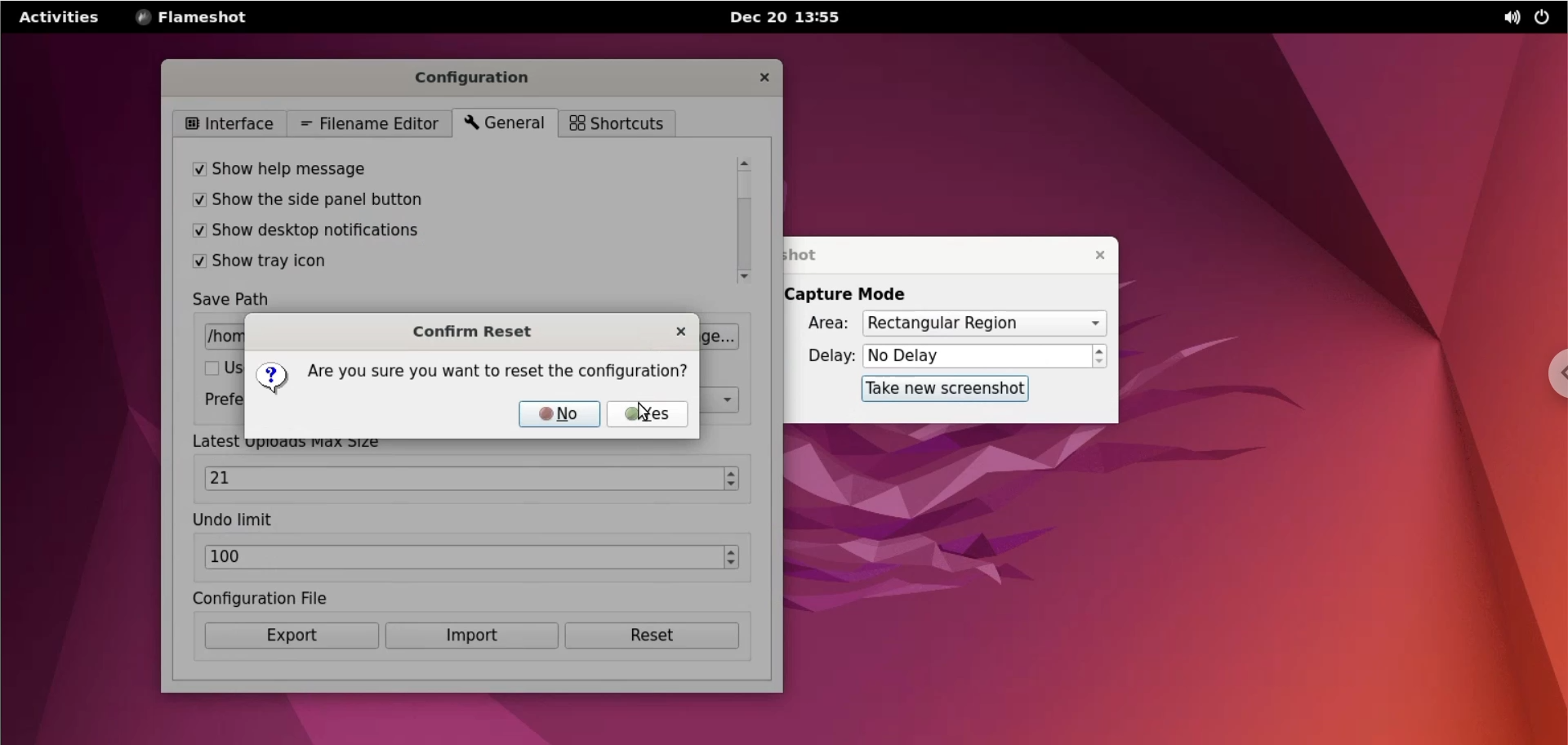 The width and height of the screenshot is (1568, 745). I want to click on take new screenshot, so click(942, 390).